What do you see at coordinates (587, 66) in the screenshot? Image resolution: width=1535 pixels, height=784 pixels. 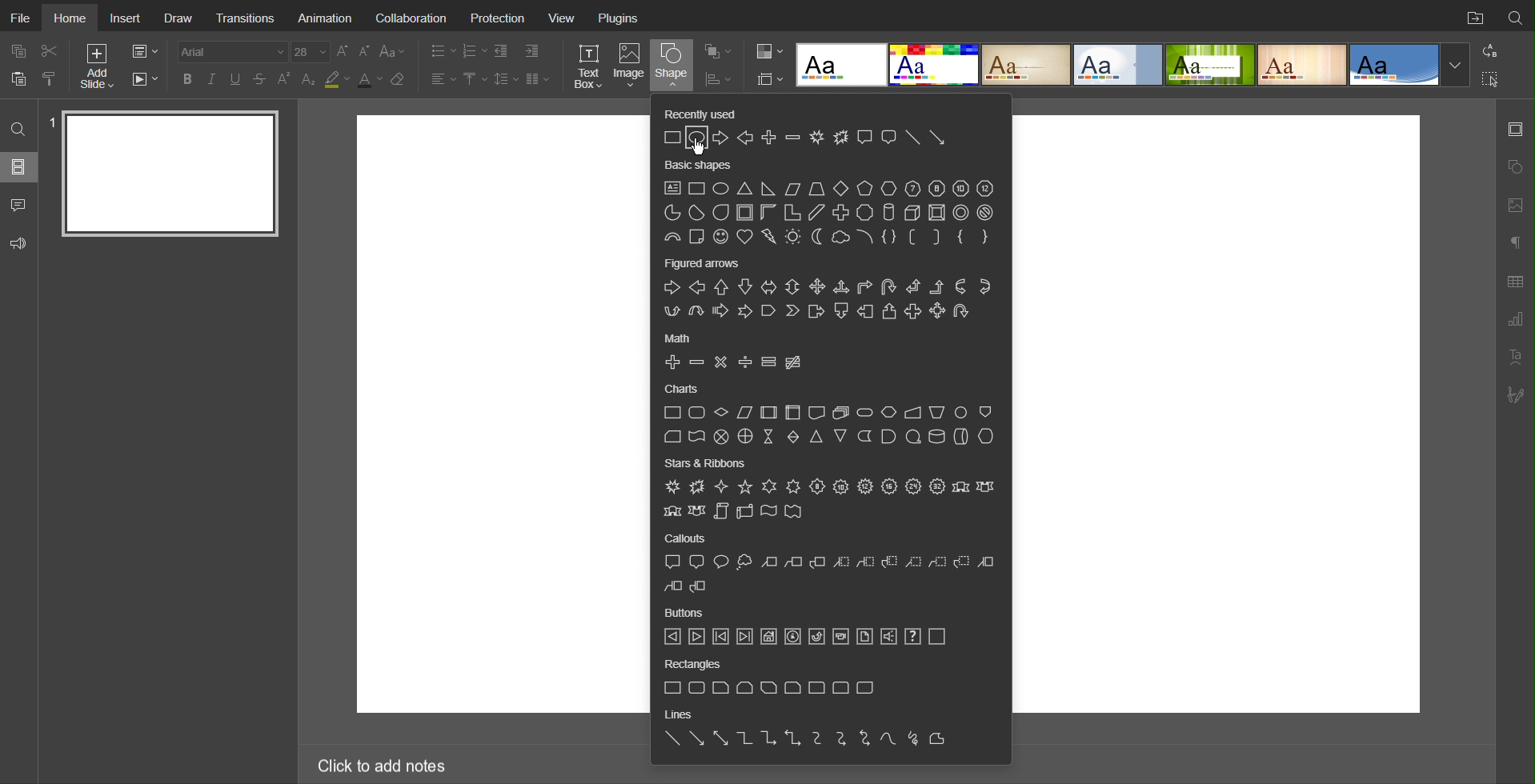 I see `Text Box` at bounding box center [587, 66].